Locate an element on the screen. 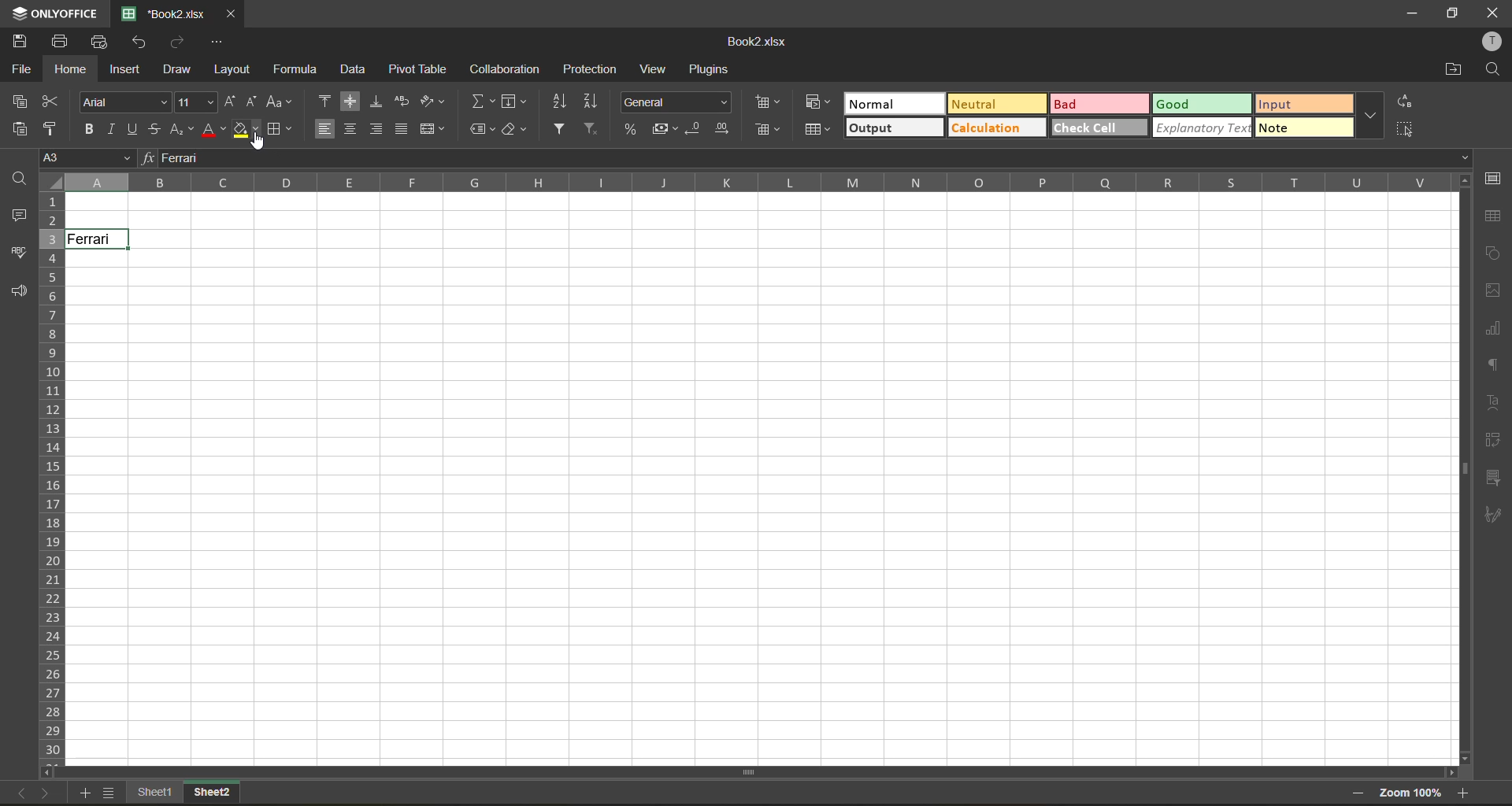 This screenshot has height=806, width=1512. borders is located at coordinates (281, 128).